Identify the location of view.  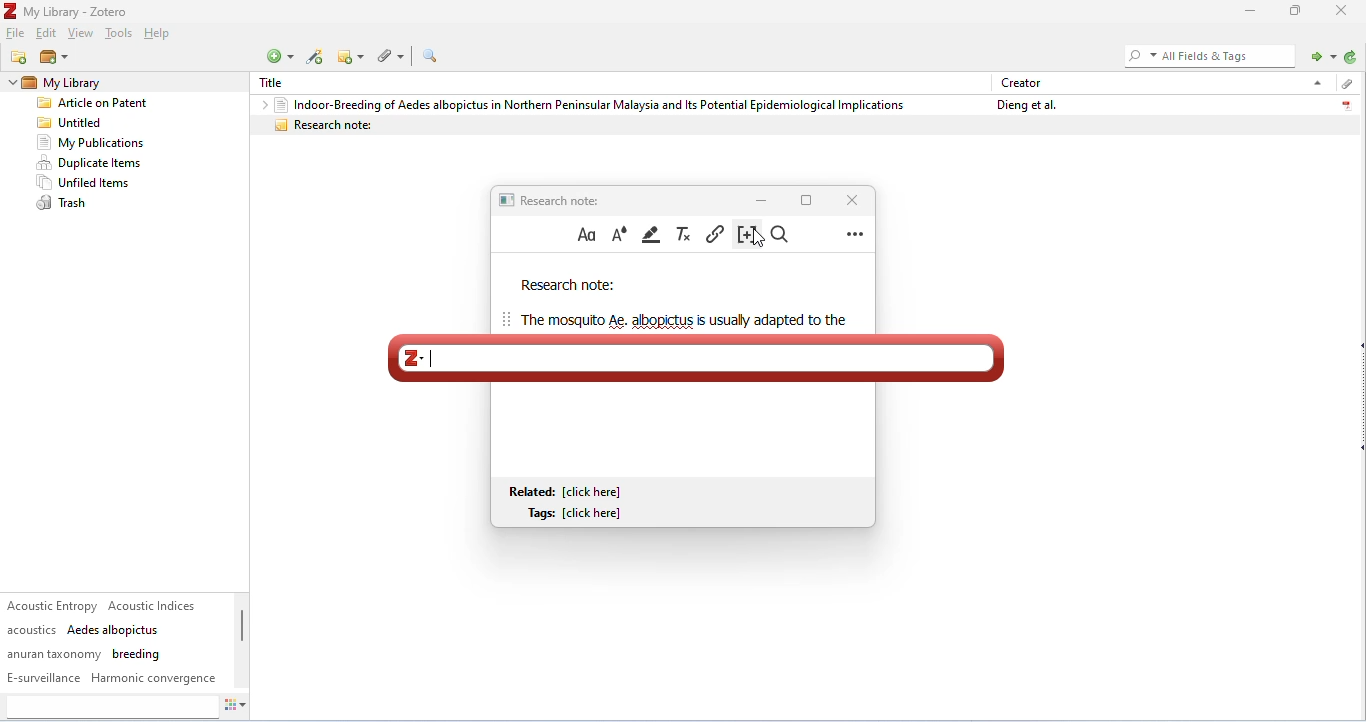
(81, 34).